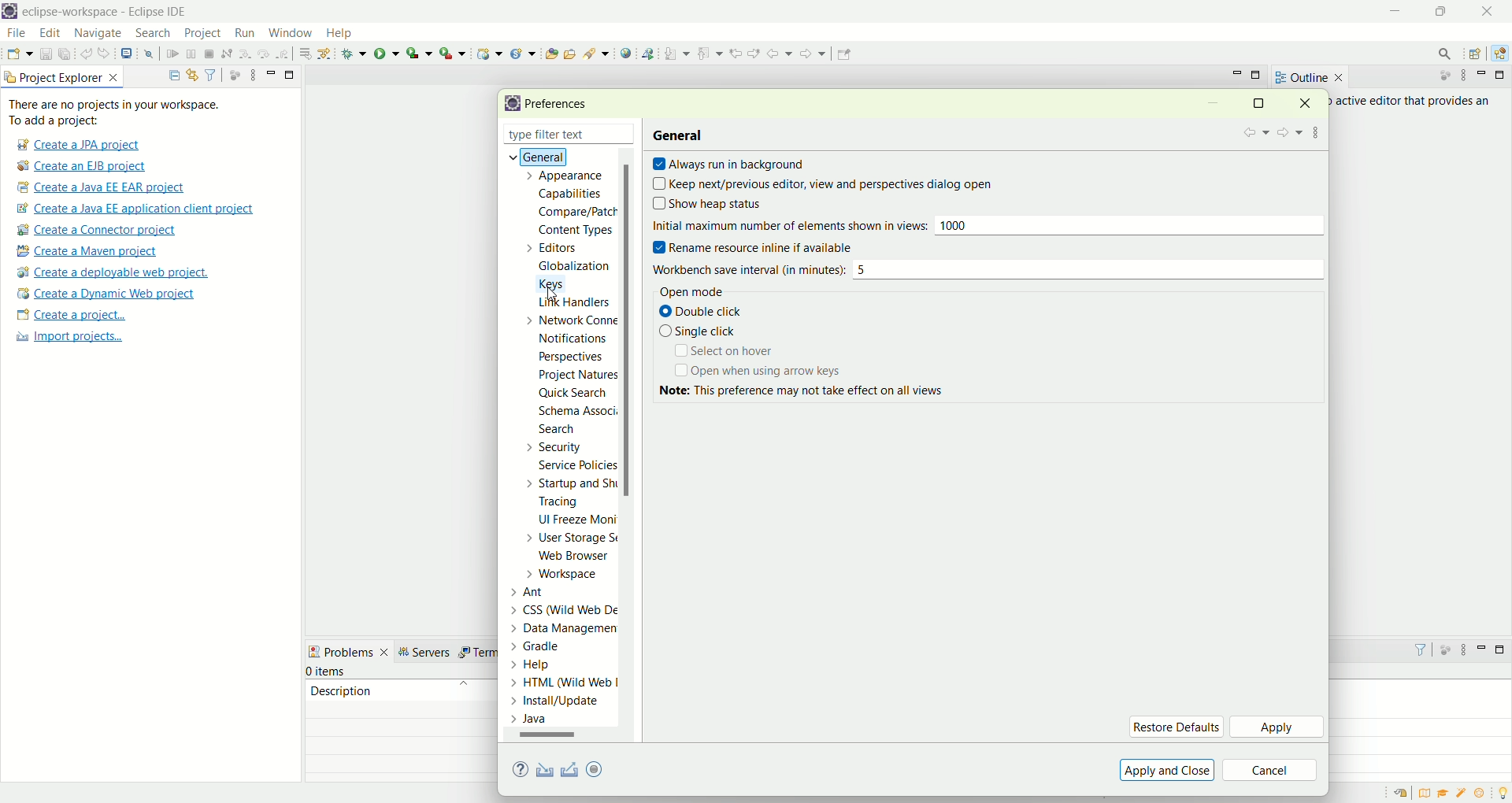 This screenshot has width=1512, height=803. I want to click on Java EE, so click(1503, 54).